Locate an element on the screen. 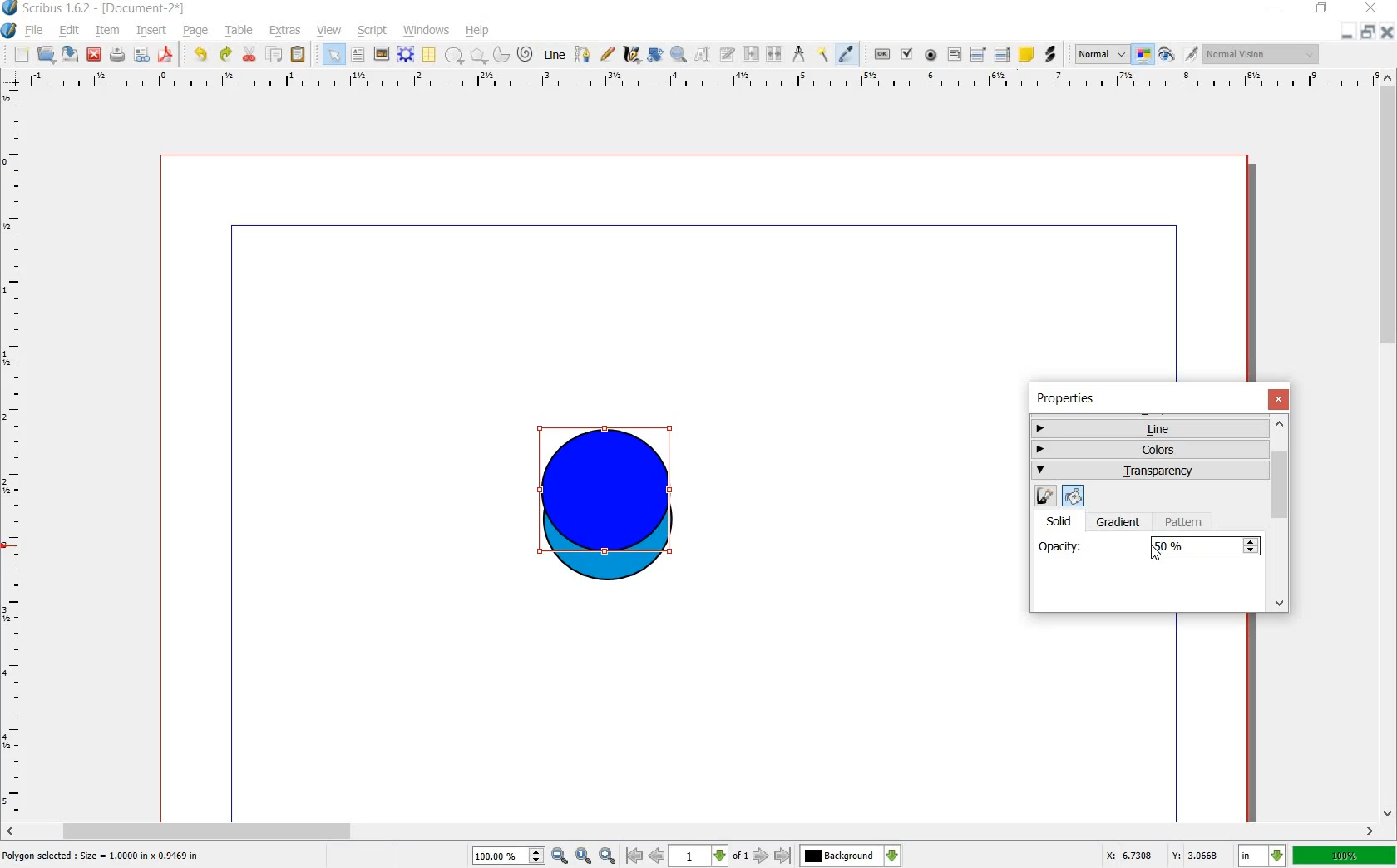 The width and height of the screenshot is (1397, 868). edit fill color properties is located at coordinates (1071, 495).